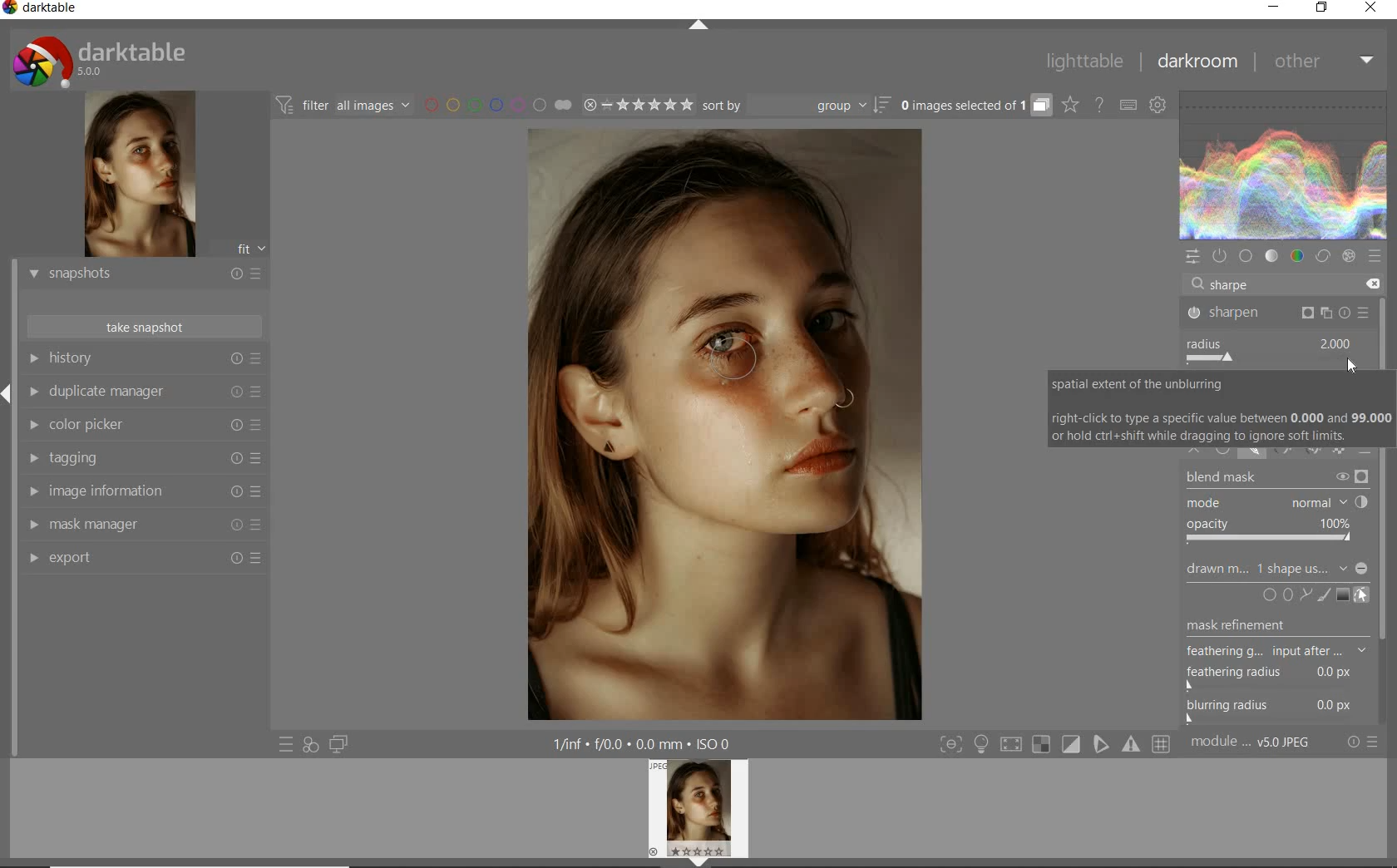 The image size is (1397, 868). What do you see at coordinates (1284, 625) in the screenshot?
I see `MASK REFINEMENT` at bounding box center [1284, 625].